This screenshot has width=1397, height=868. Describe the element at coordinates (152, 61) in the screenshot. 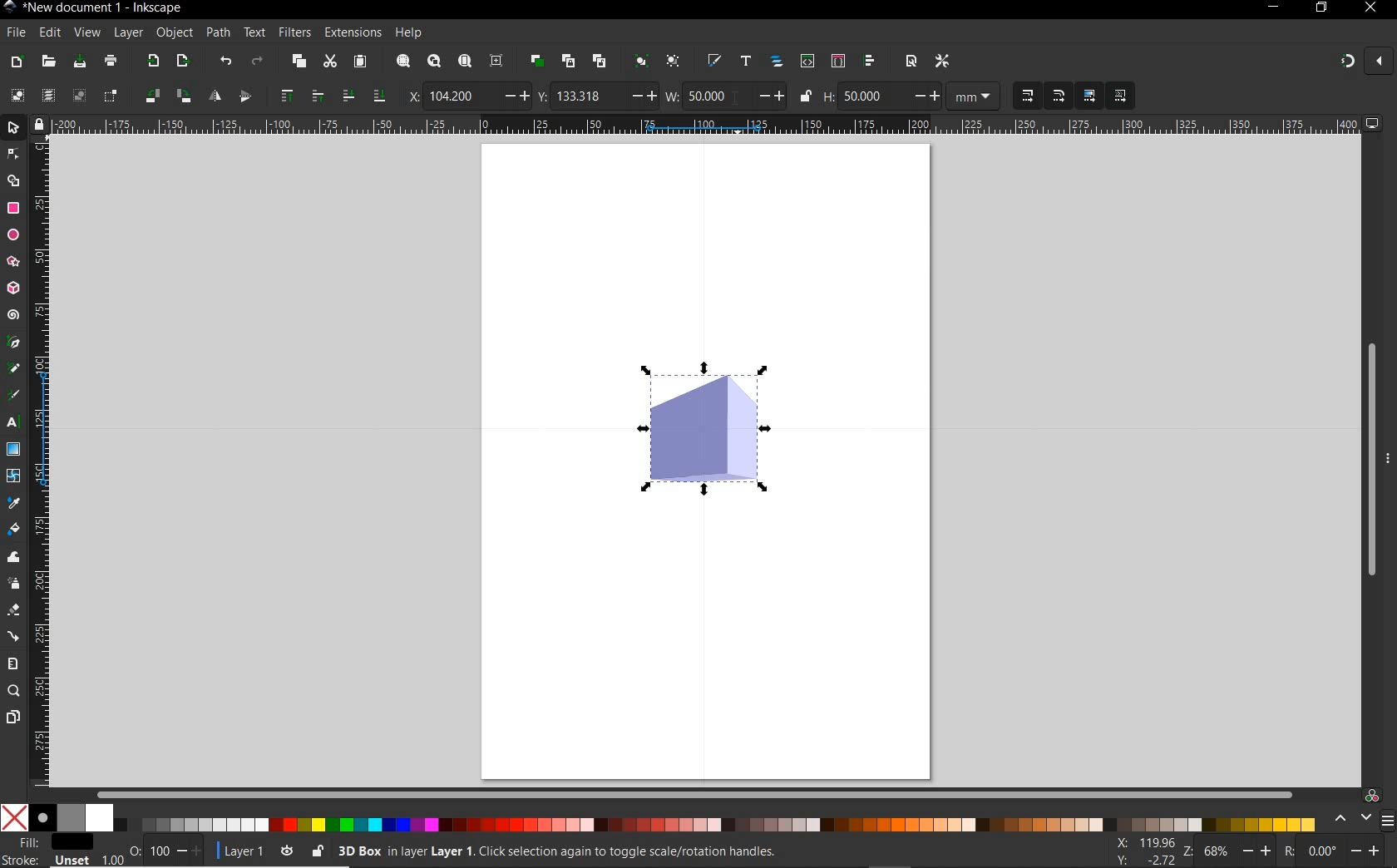

I see `import` at that location.